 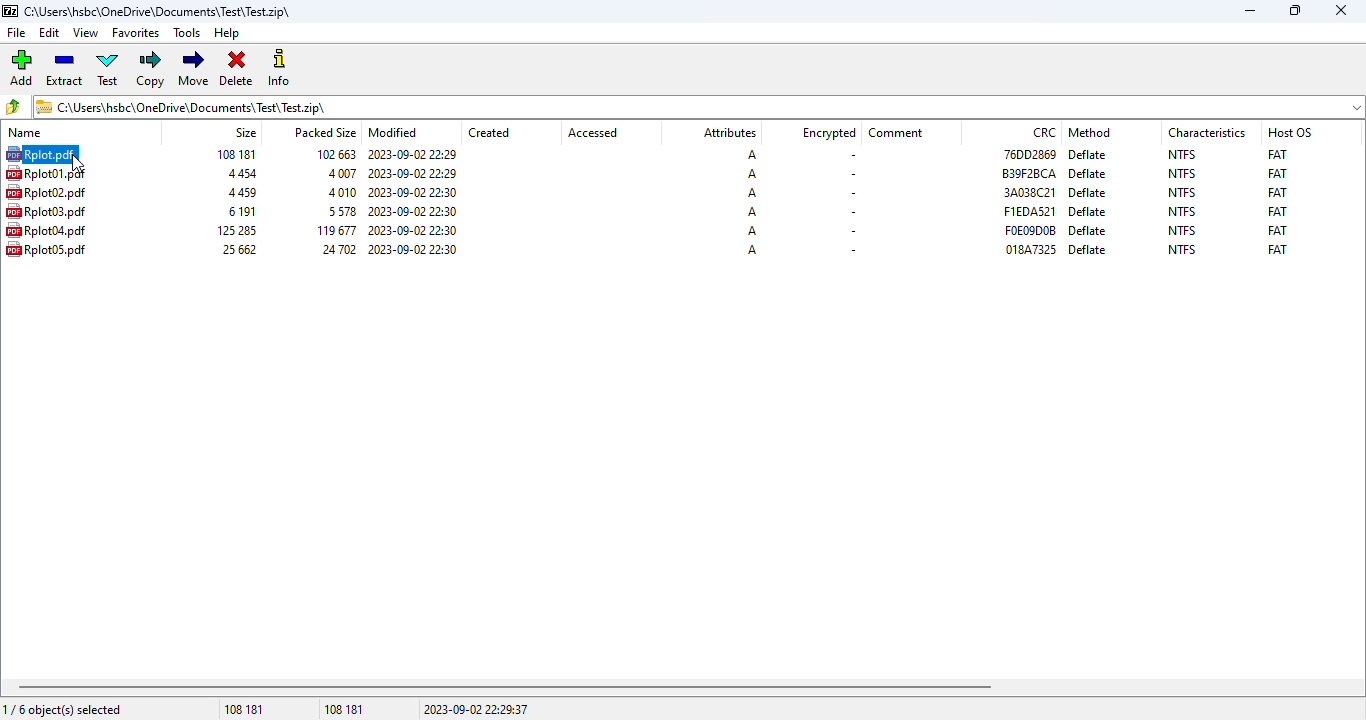 What do you see at coordinates (245, 132) in the screenshot?
I see `size` at bounding box center [245, 132].